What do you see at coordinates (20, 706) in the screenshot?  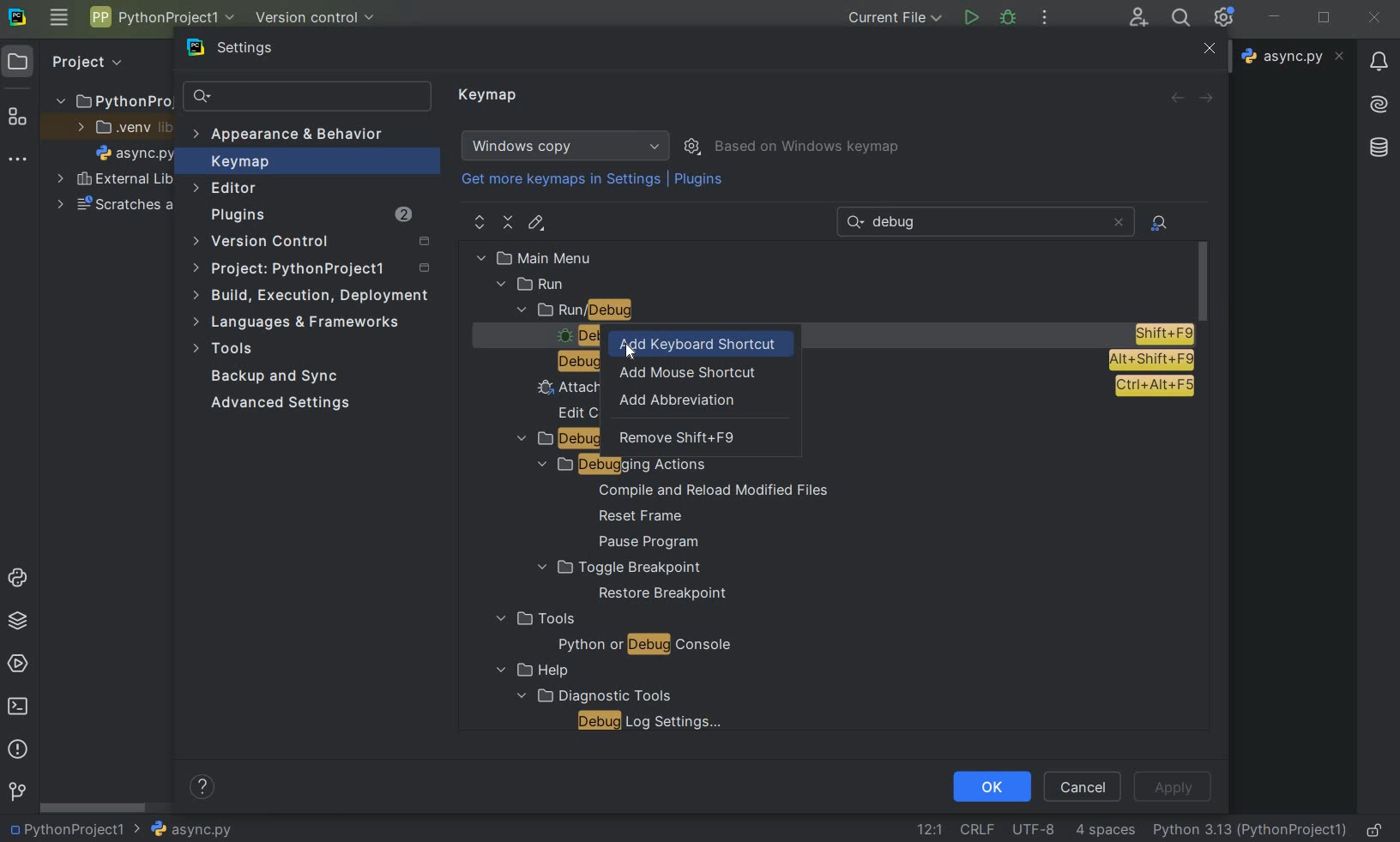 I see `terminal` at bounding box center [20, 706].